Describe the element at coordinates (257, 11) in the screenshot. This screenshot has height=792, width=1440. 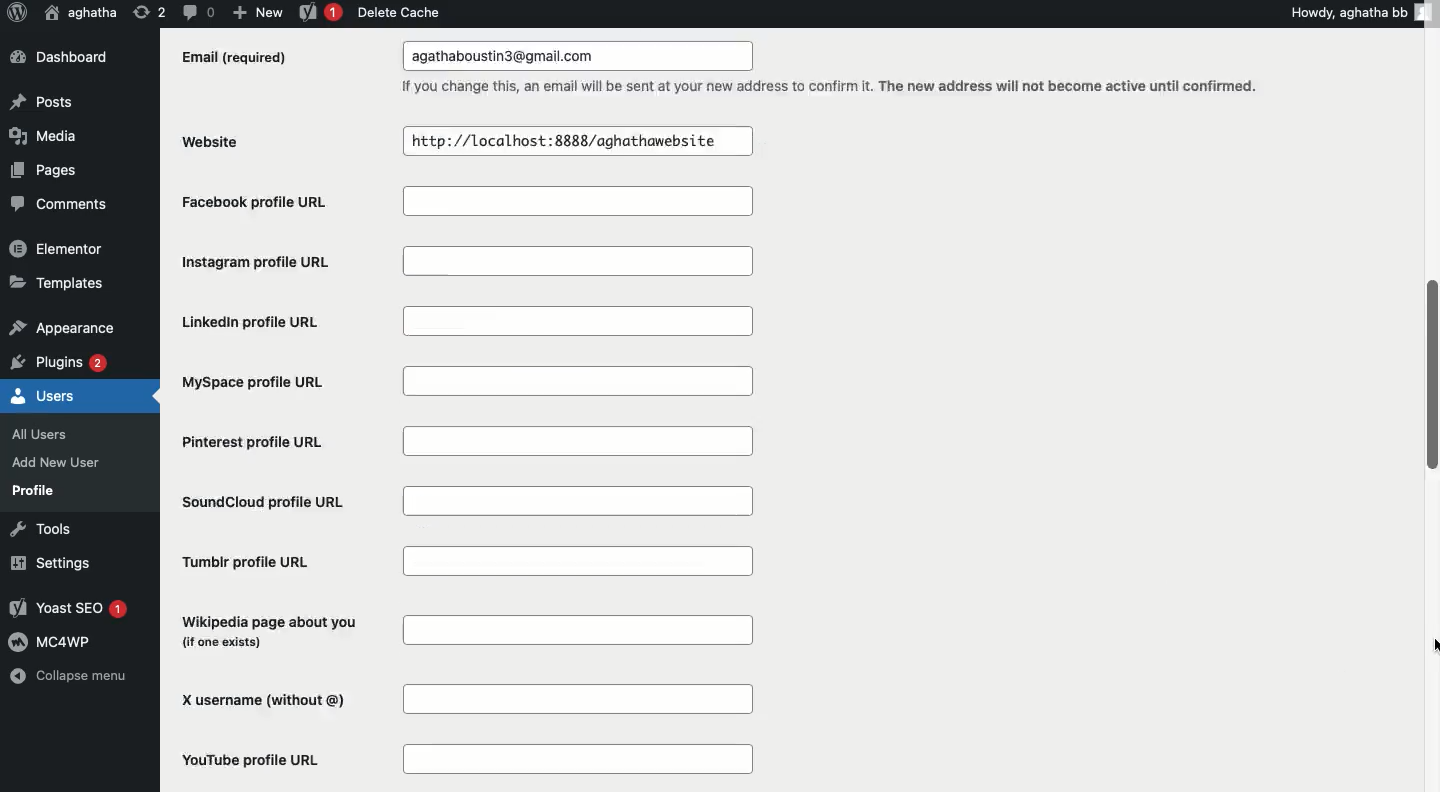
I see `New` at that location.